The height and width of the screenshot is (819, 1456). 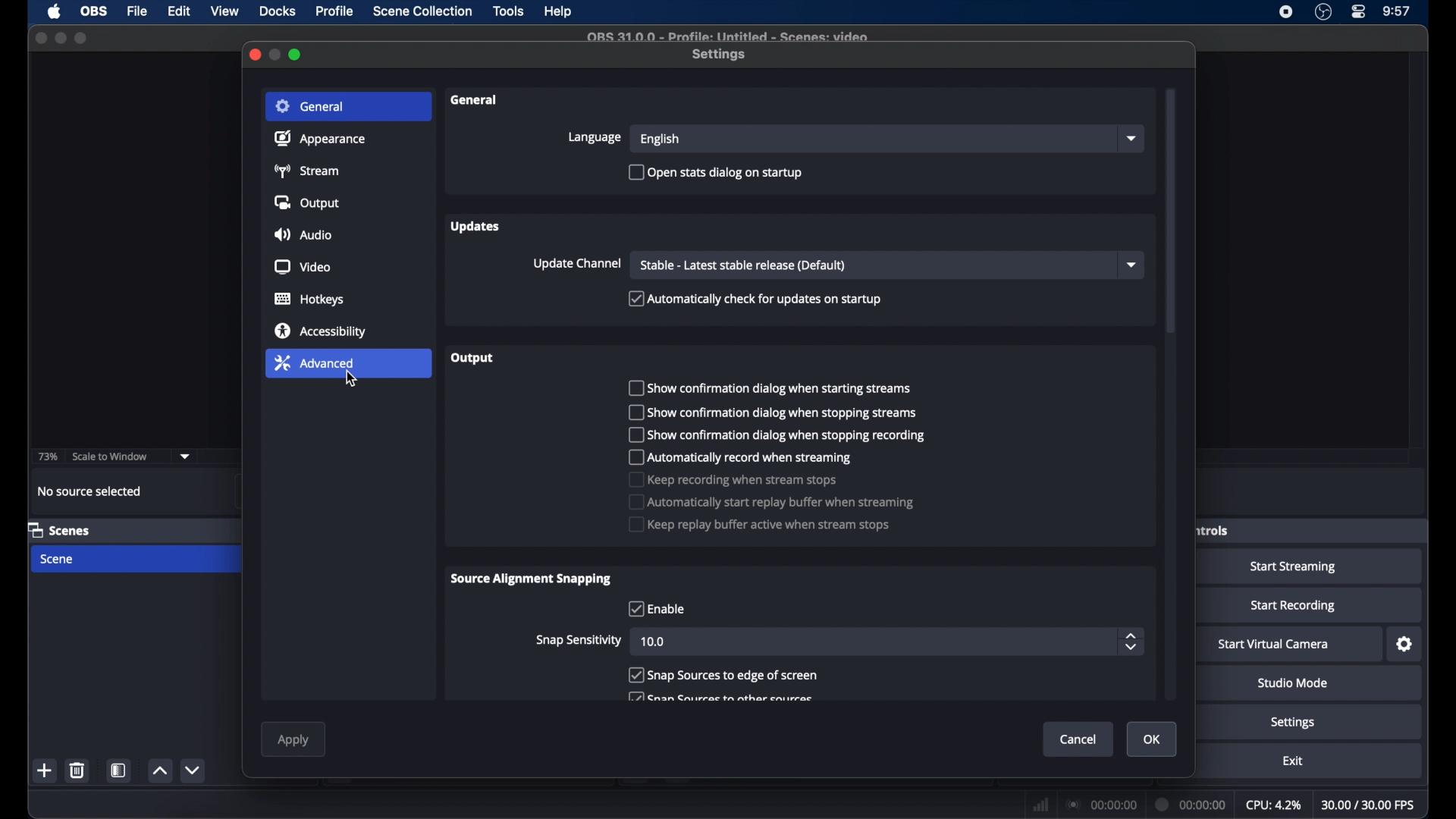 What do you see at coordinates (755, 299) in the screenshot?
I see `checkbox` at bounding box center [755, 299].